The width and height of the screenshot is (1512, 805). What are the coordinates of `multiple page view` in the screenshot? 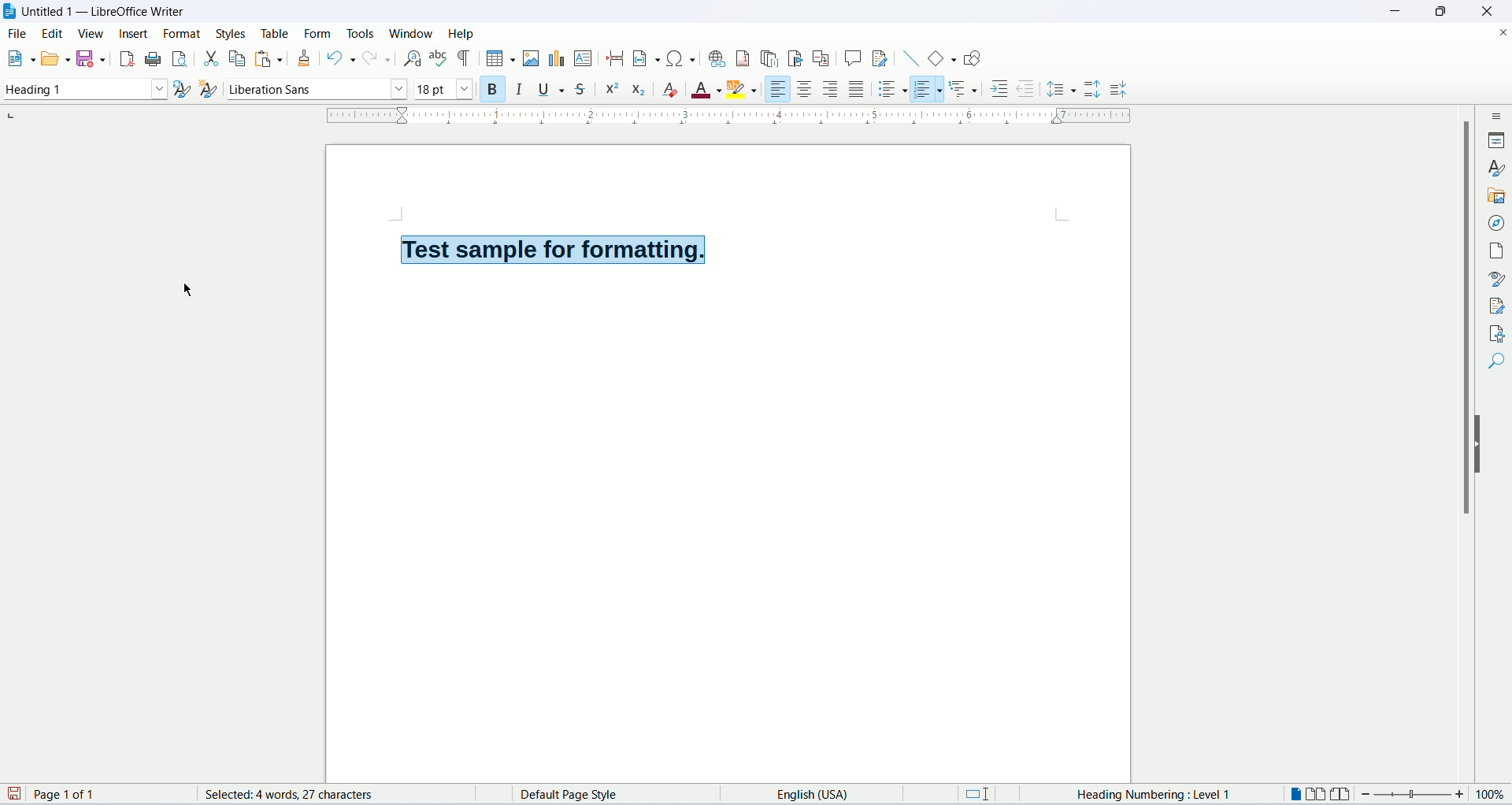 It's located at (1321, 796).